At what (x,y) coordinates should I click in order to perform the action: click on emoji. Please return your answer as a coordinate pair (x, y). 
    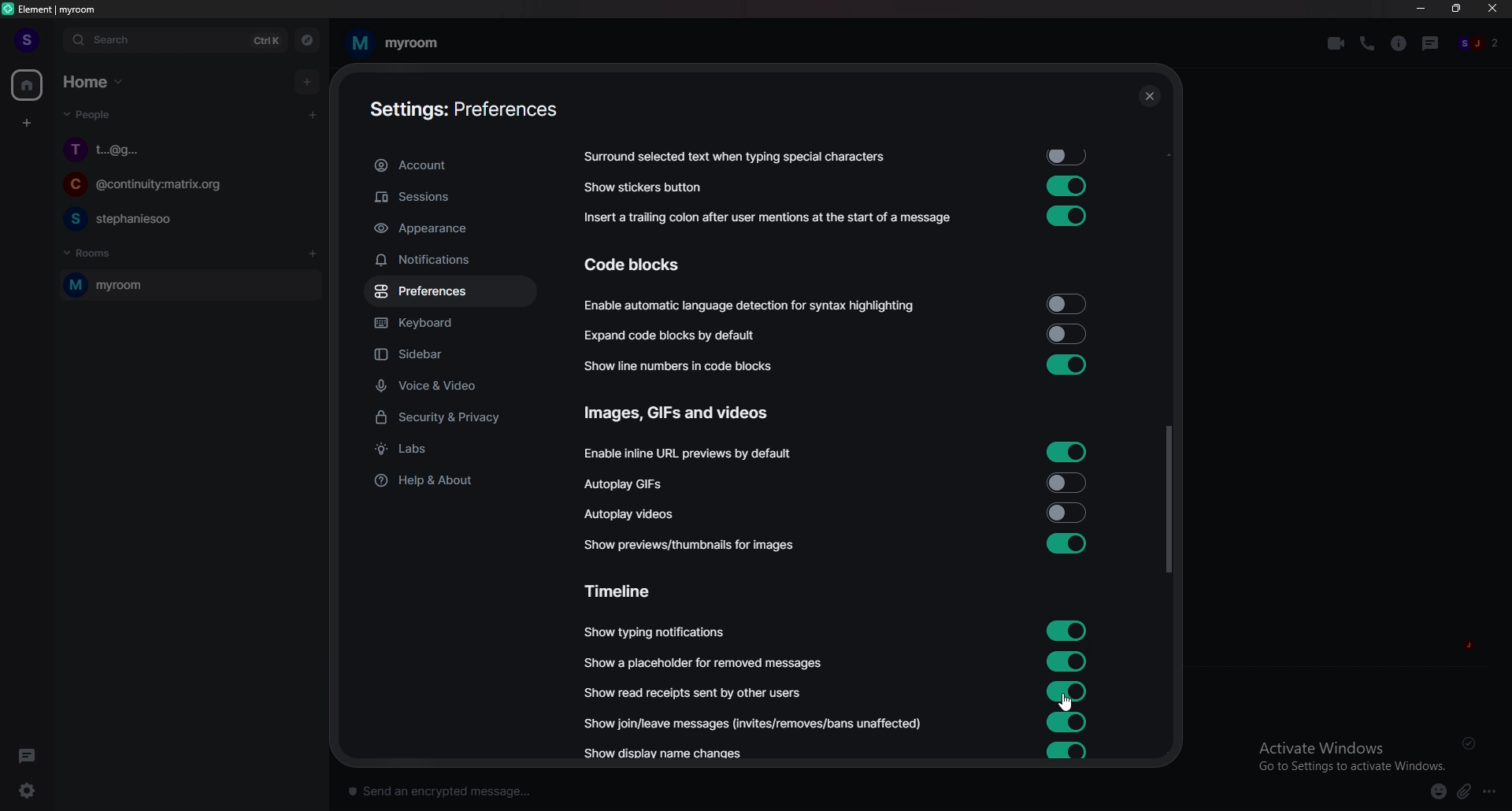
    Looking at the image, I should click on (1432, 791).